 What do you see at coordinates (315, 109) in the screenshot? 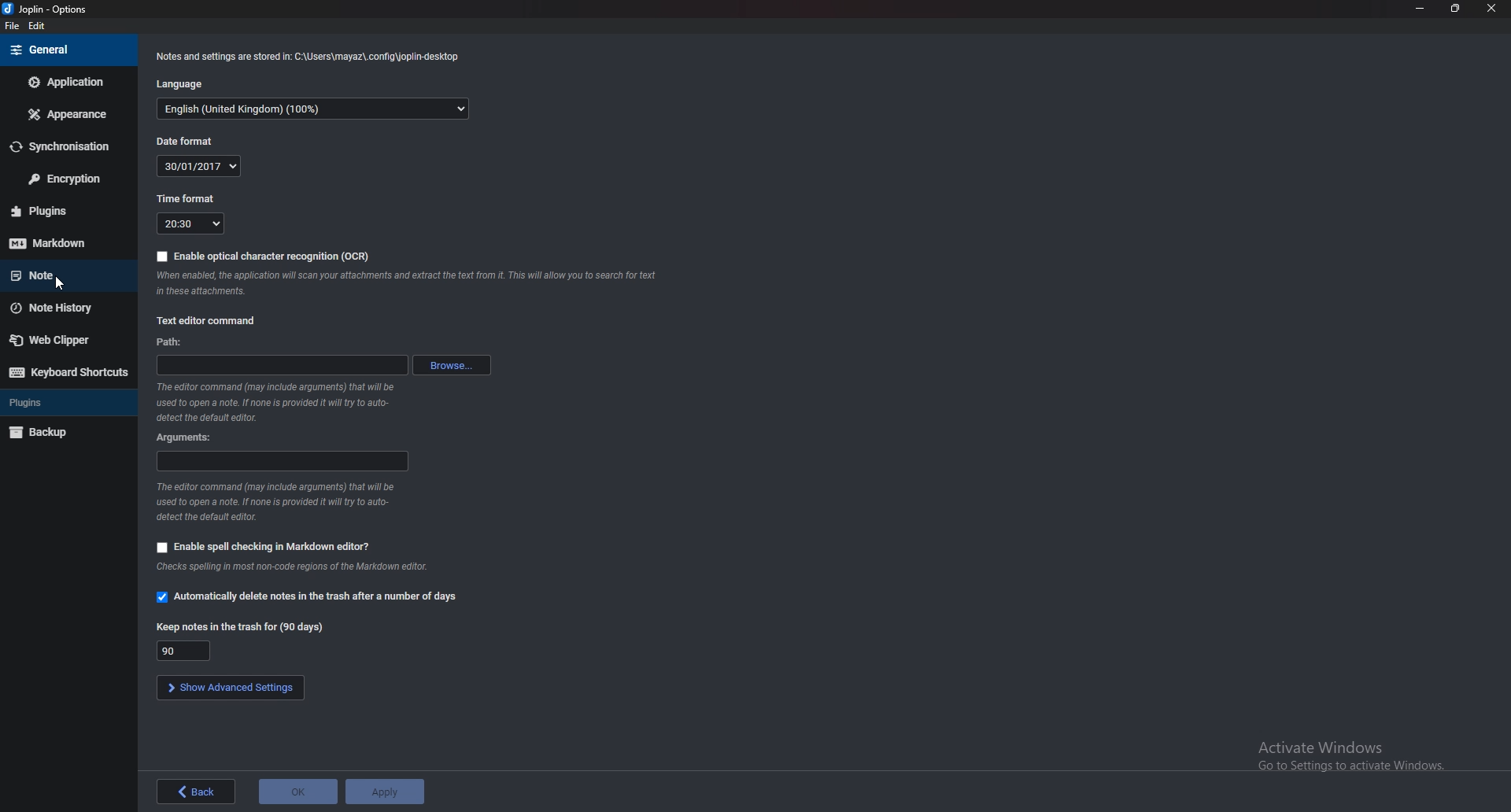
I see `Language` at bounding box center [315, 109].